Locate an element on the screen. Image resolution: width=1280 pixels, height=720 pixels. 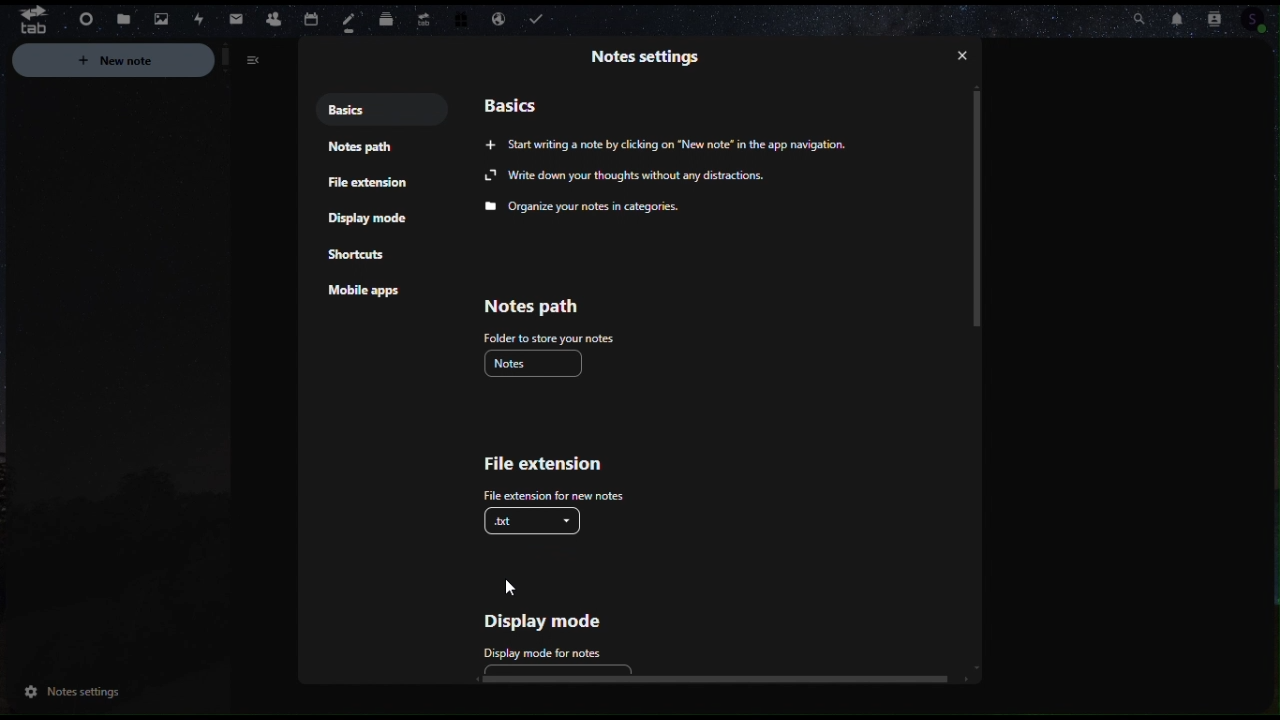
display mode for notes is located at coordinates (538, 651).